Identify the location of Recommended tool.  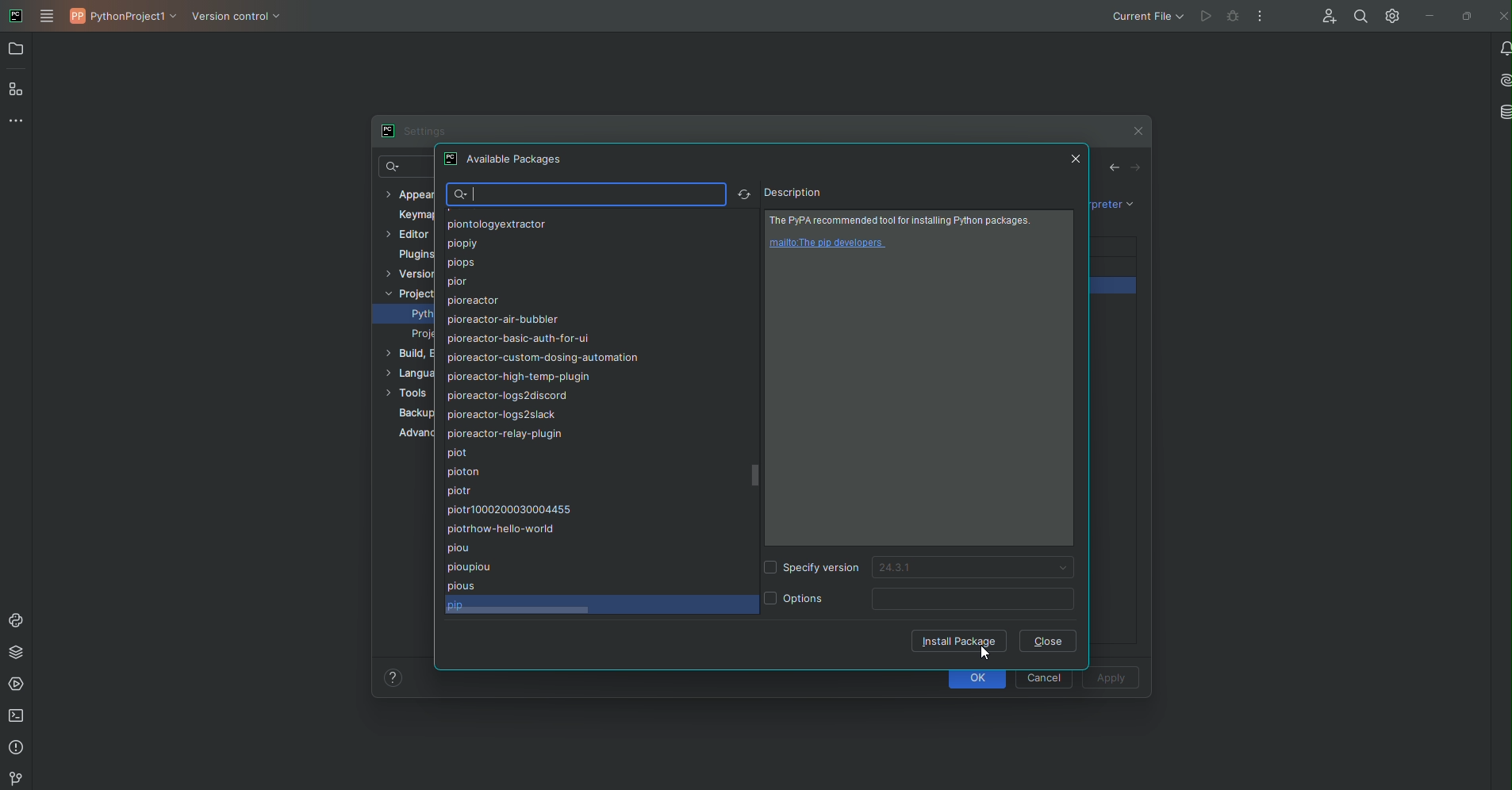
(906, 220).